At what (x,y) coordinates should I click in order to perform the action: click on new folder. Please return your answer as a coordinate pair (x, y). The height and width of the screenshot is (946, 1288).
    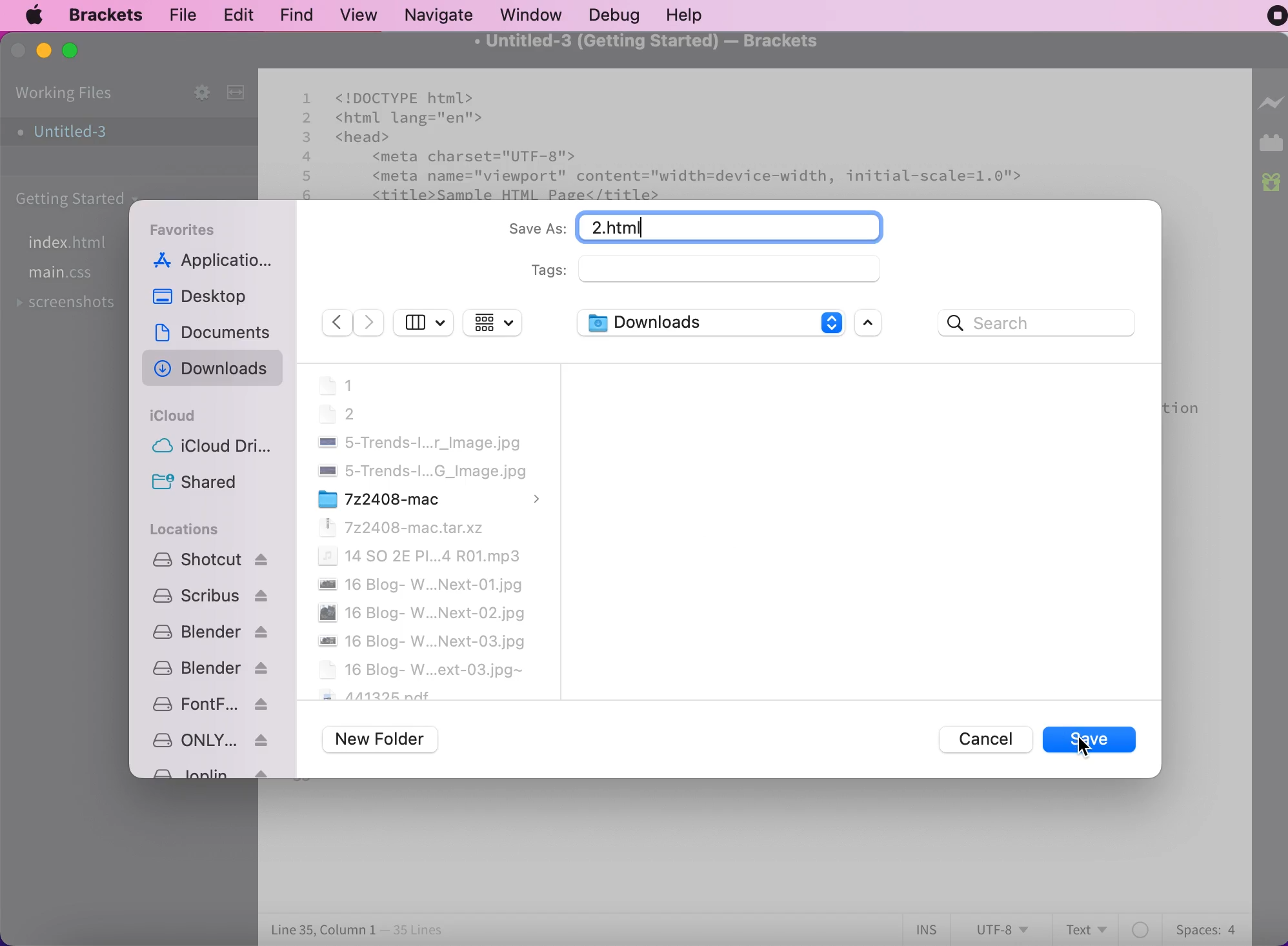
    Looking at the image, I should click on (385, 740).